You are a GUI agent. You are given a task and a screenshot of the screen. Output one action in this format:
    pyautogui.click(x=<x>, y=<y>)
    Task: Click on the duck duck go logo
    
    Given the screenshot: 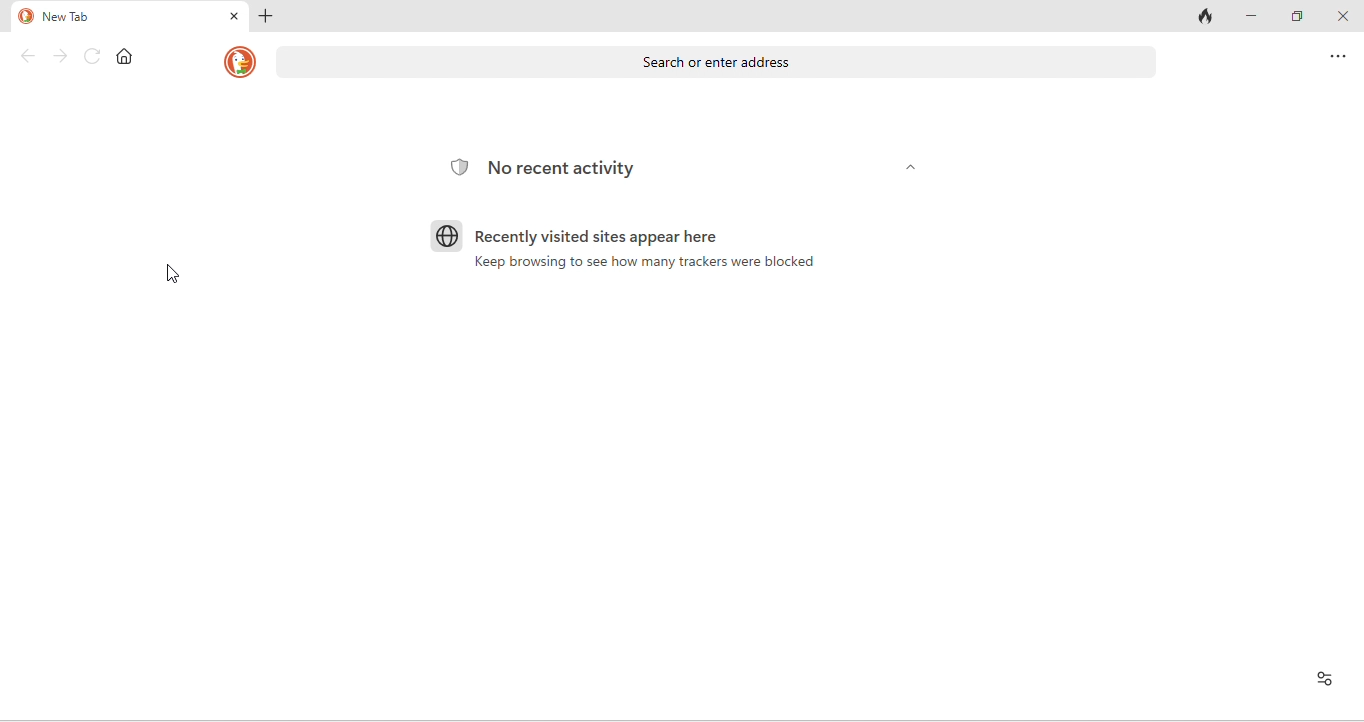 What is the action you would take?
    pyautogui.click(x=25, y=17)
    